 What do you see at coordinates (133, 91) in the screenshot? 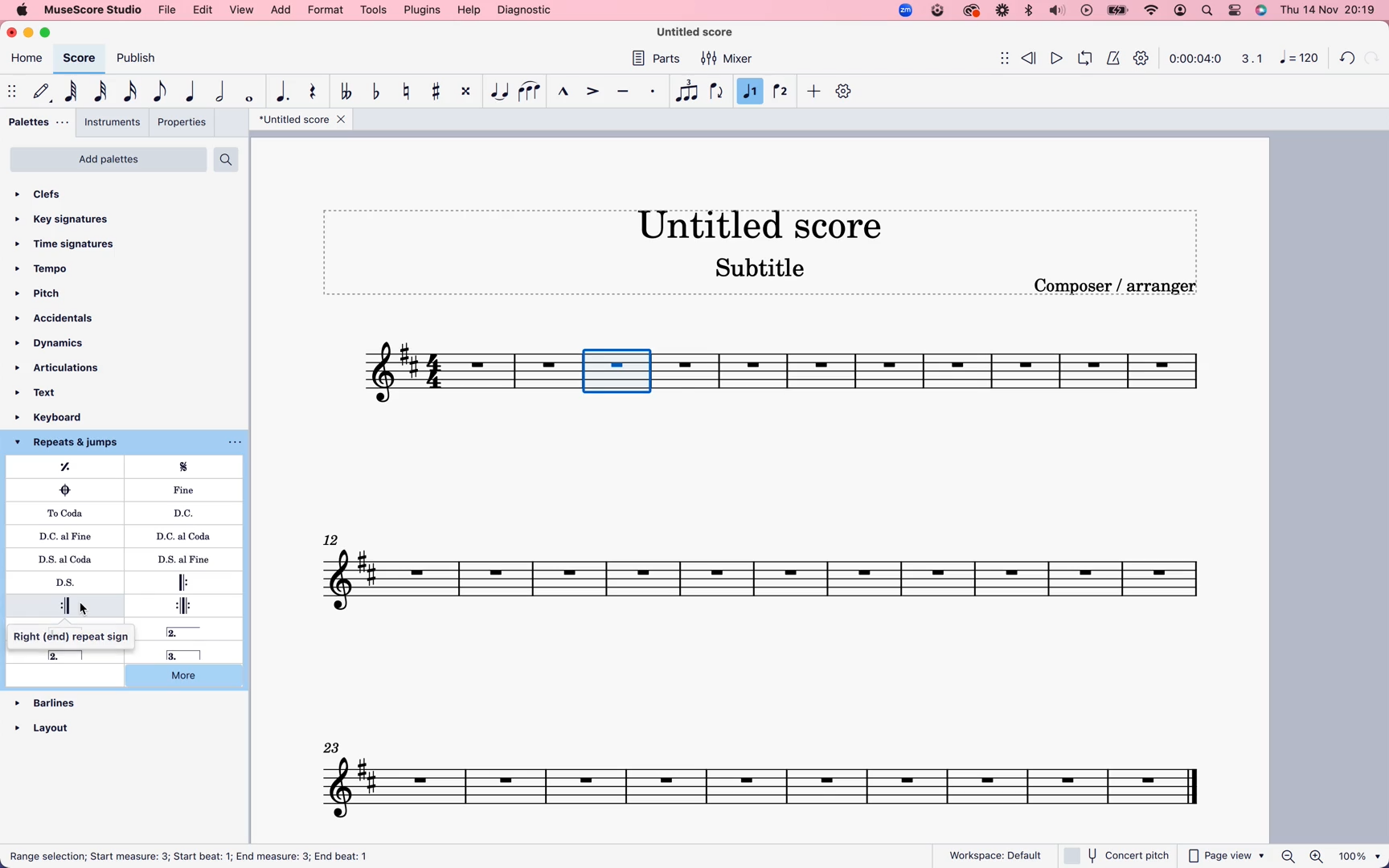
I see `16th note` at bounding box center [133, 91].